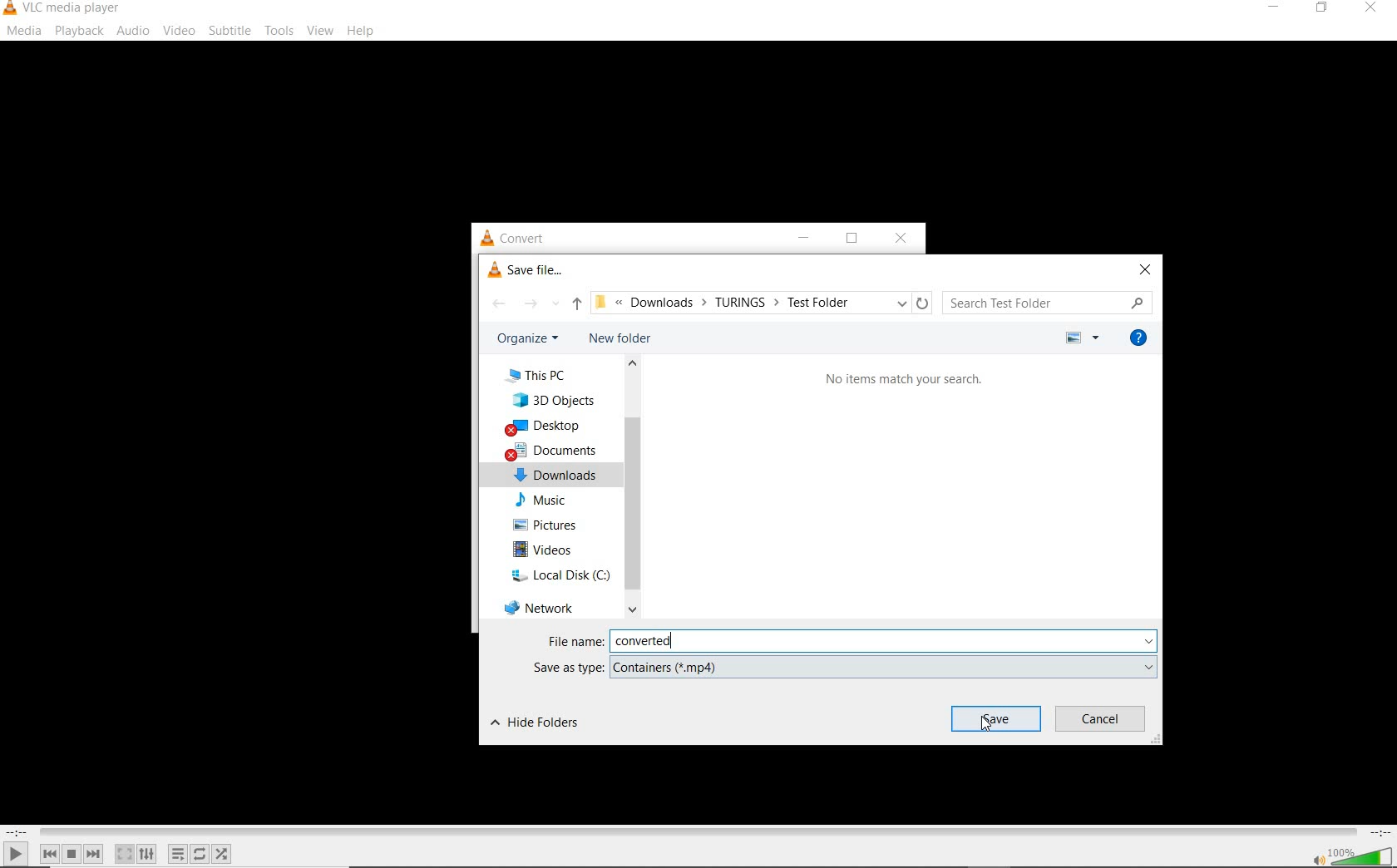 The image size is (1397, 868). Describe the element at coordinates (536, 723) in the screenshot. I see `hide folders` at that location.